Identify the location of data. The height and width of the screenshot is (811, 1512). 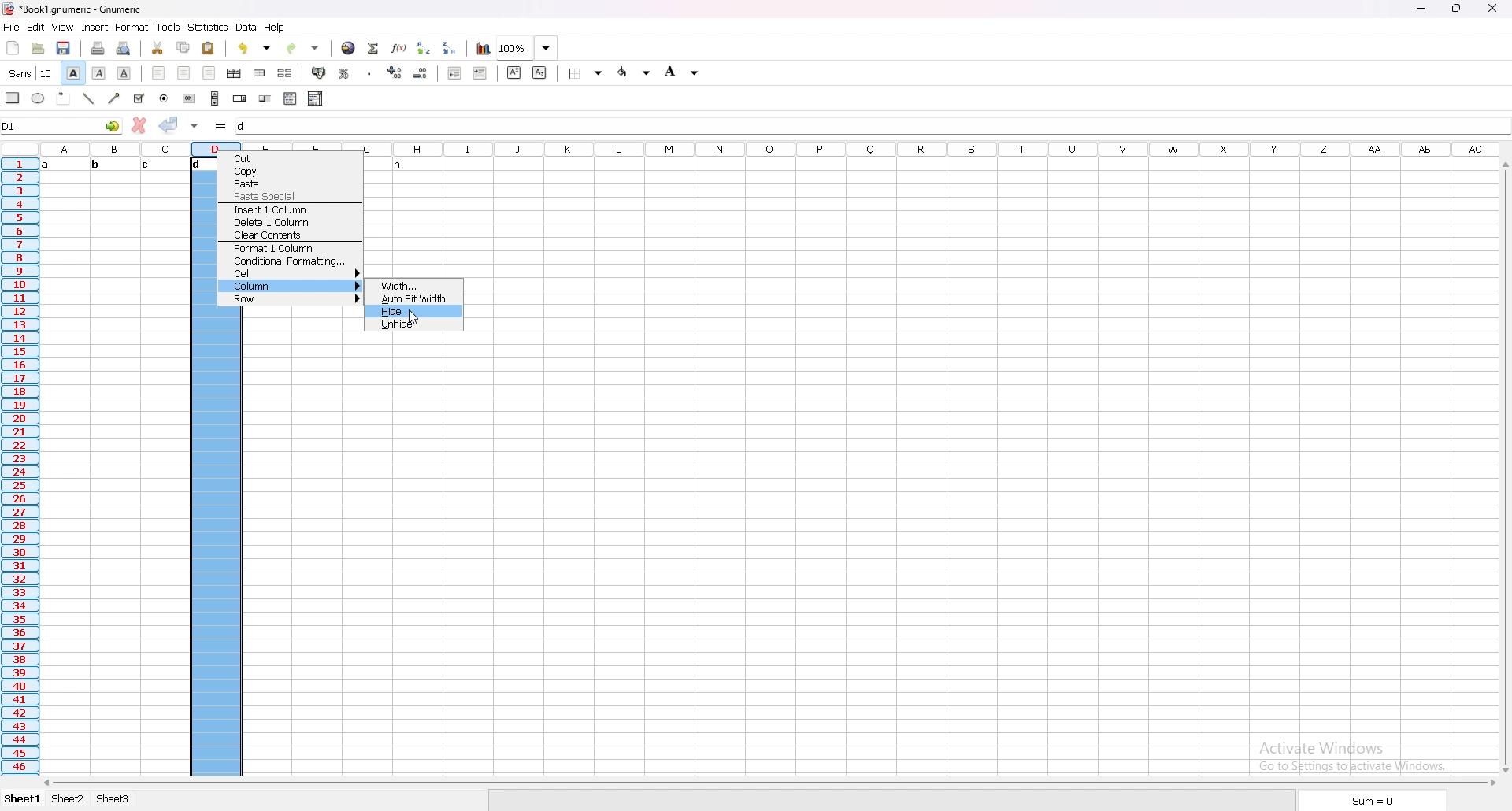
(247, 27).